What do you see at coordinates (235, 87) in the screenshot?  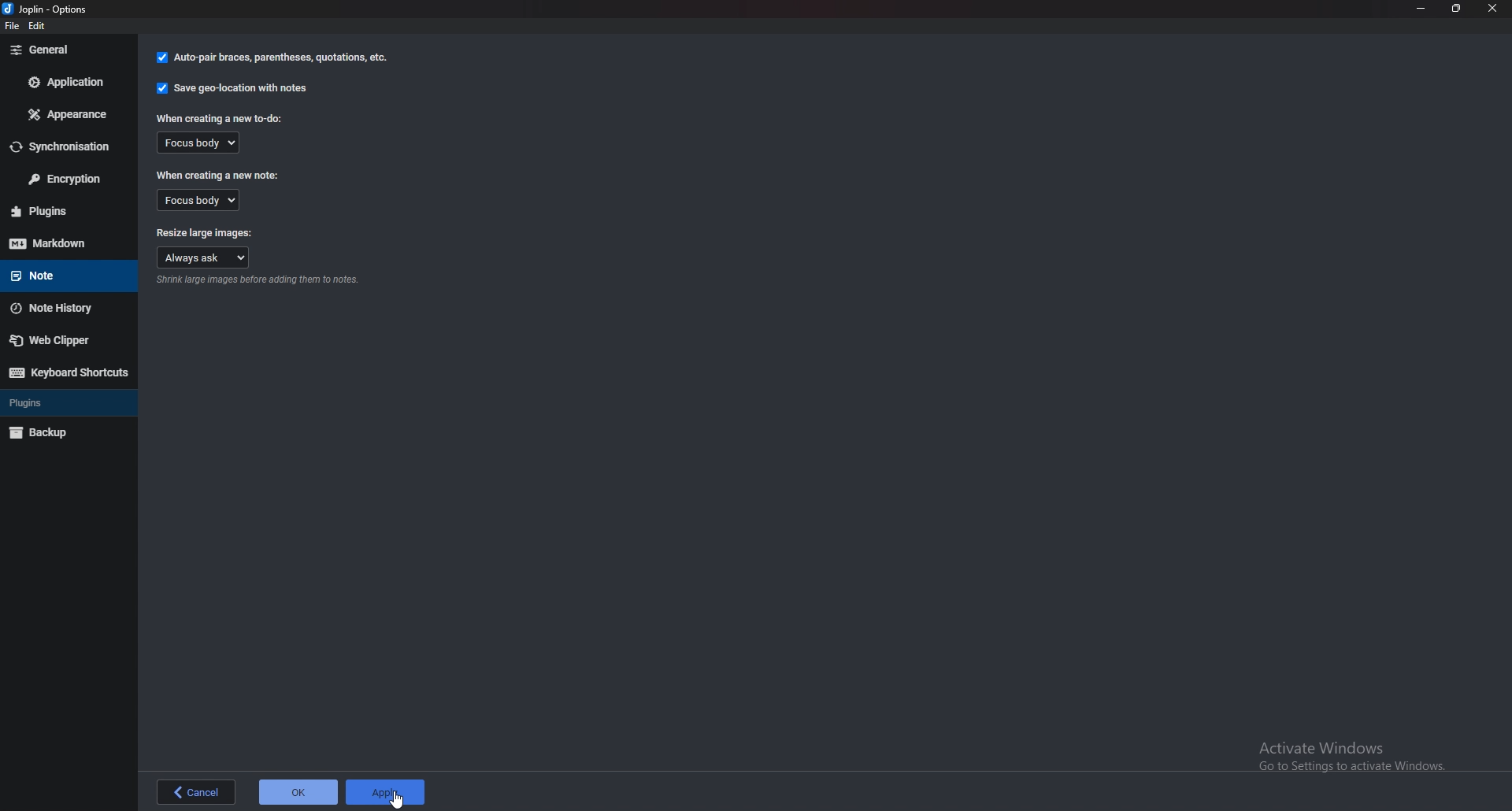 I see `Save Geolocation` at bounding box center [235, 87].